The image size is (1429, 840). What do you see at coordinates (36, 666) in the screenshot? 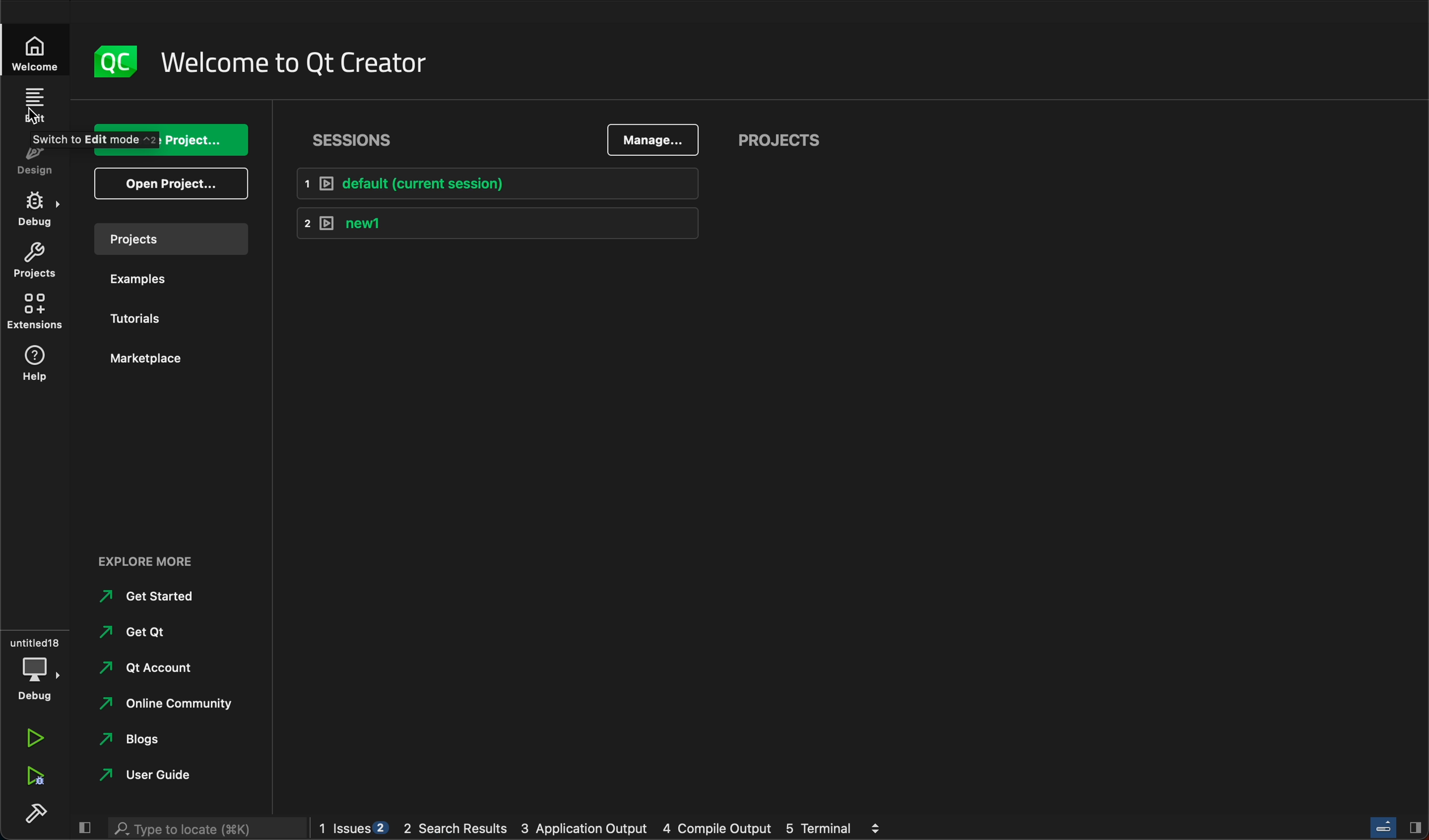
I see `debug` at bounding box center [36, 666].